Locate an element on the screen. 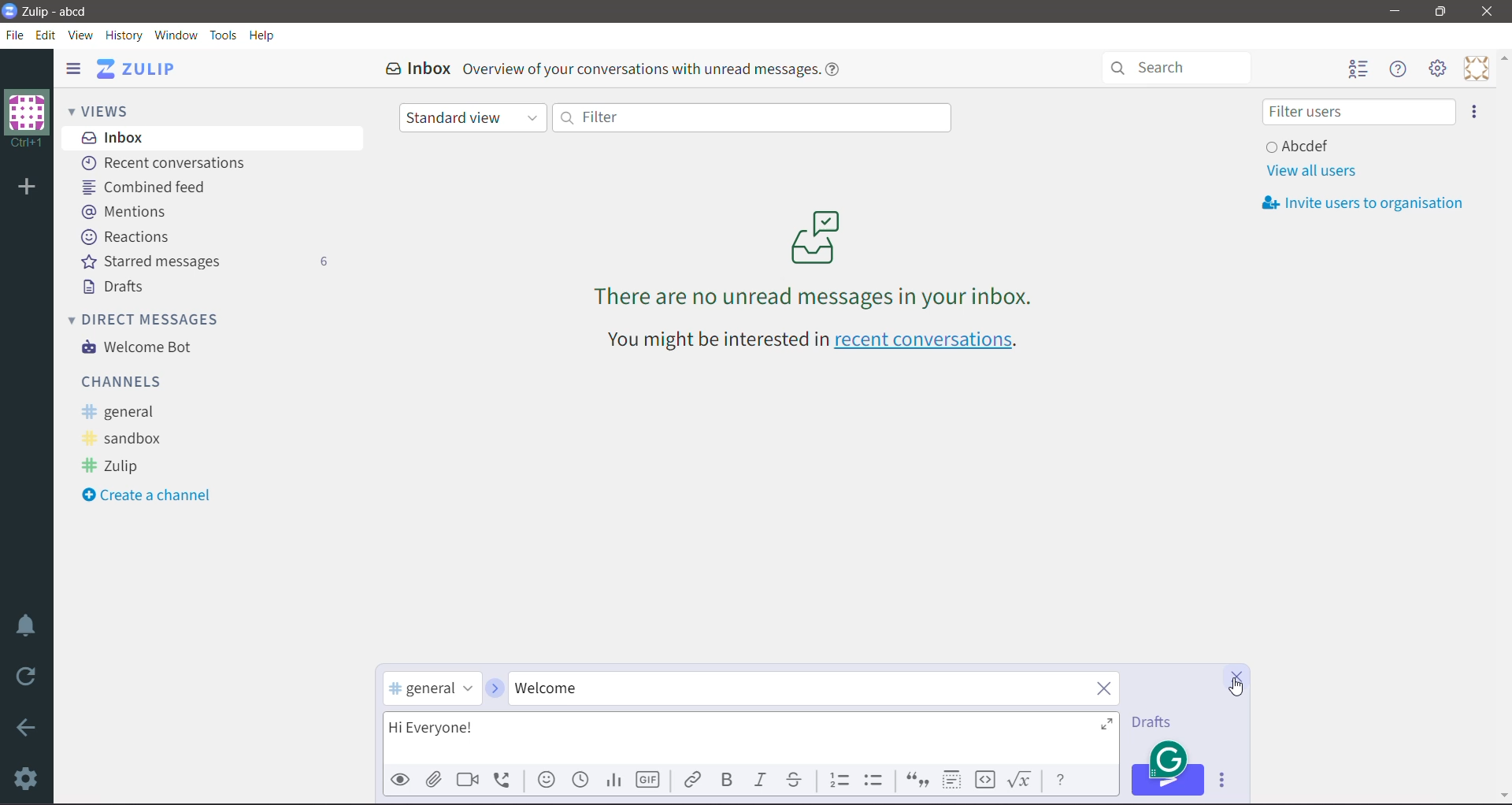 This screenshot has width=1512, height=805. Math is located at coordinates (1022, 780).